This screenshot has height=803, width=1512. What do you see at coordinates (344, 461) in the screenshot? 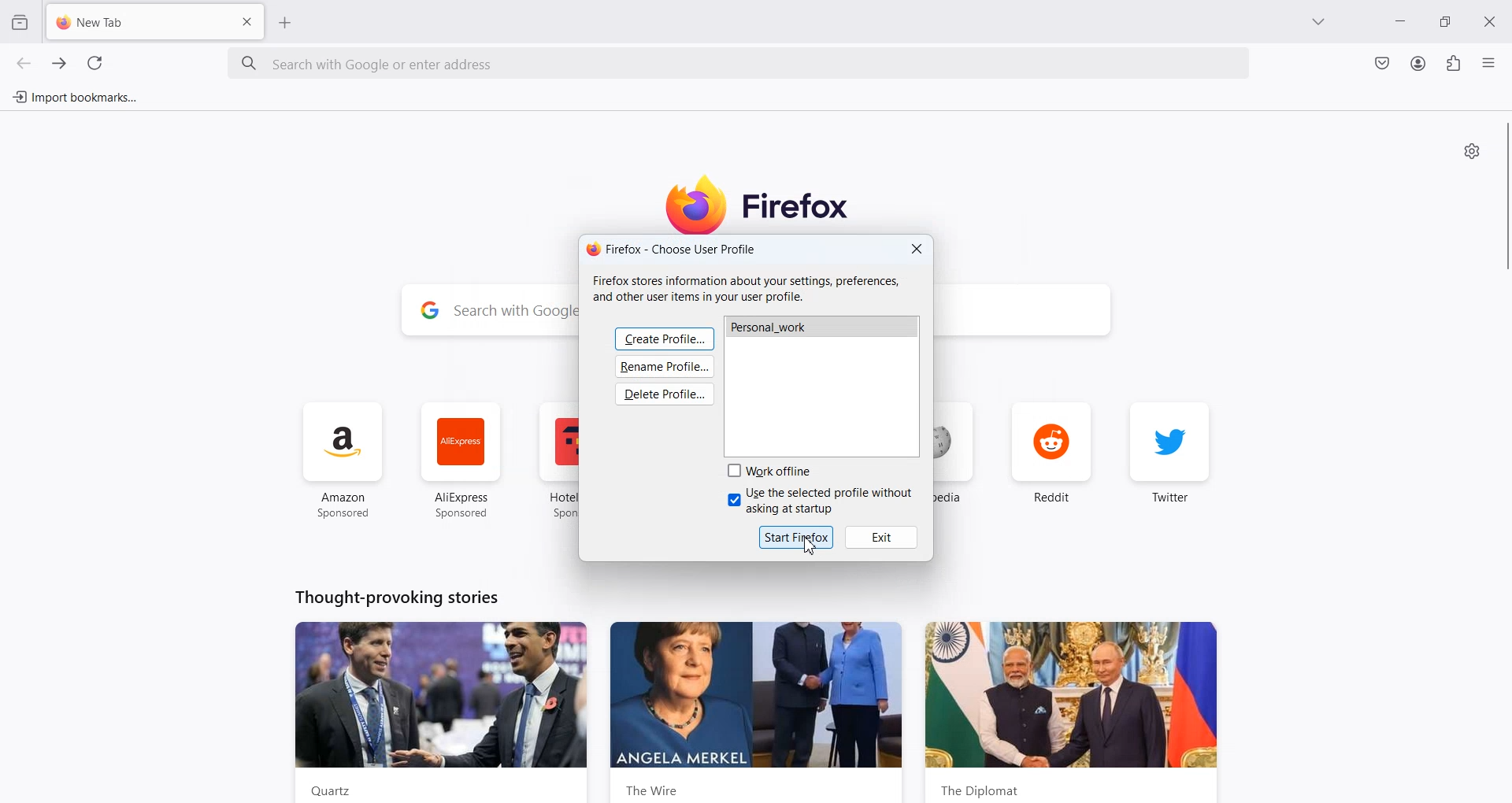
I see `Amazon Sponsored` at bounding box center [344, 461].